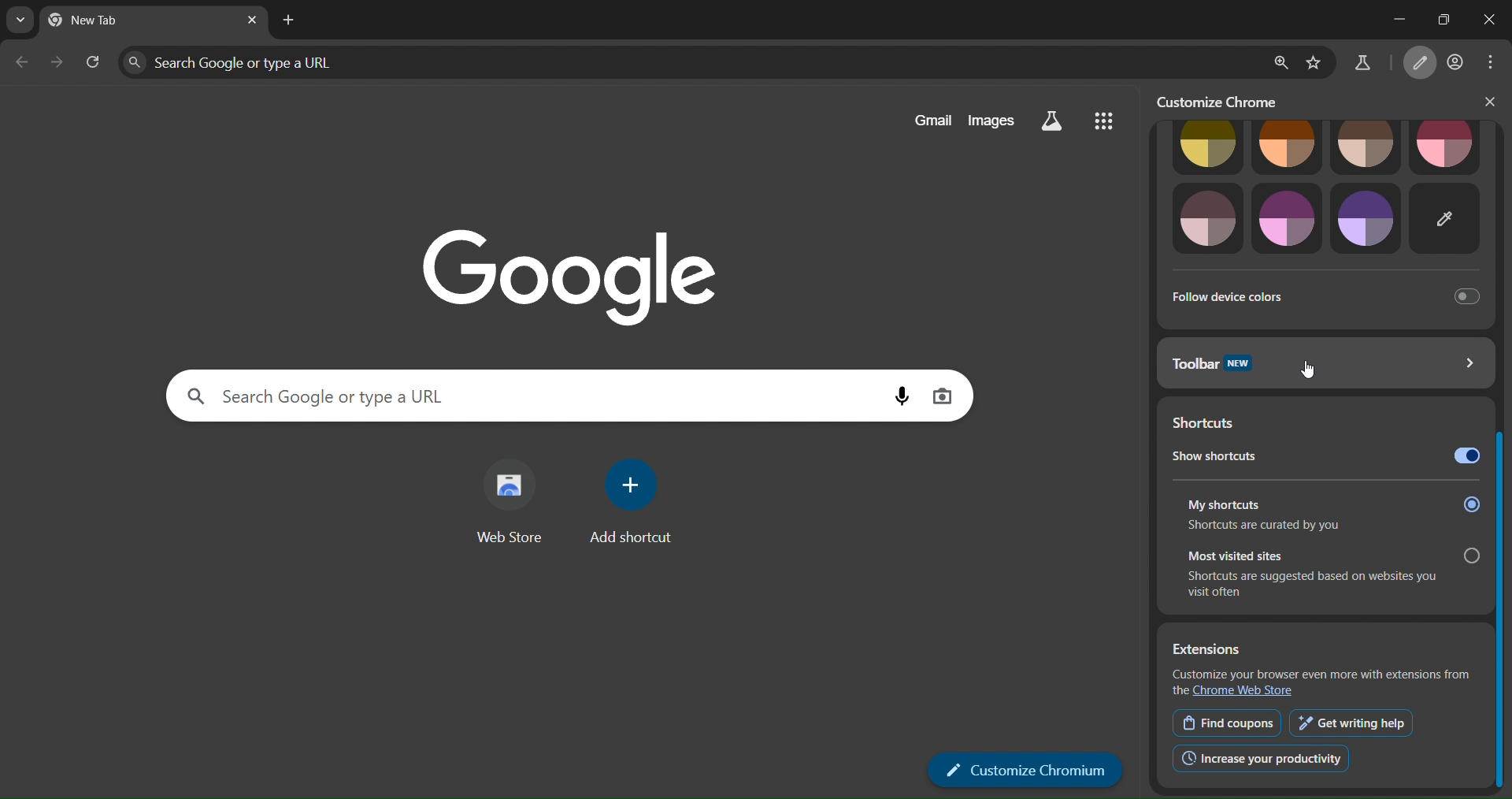 The width and height of the screenshot is (1512, 799). I want to click on customize theme, so click(1451, 217).